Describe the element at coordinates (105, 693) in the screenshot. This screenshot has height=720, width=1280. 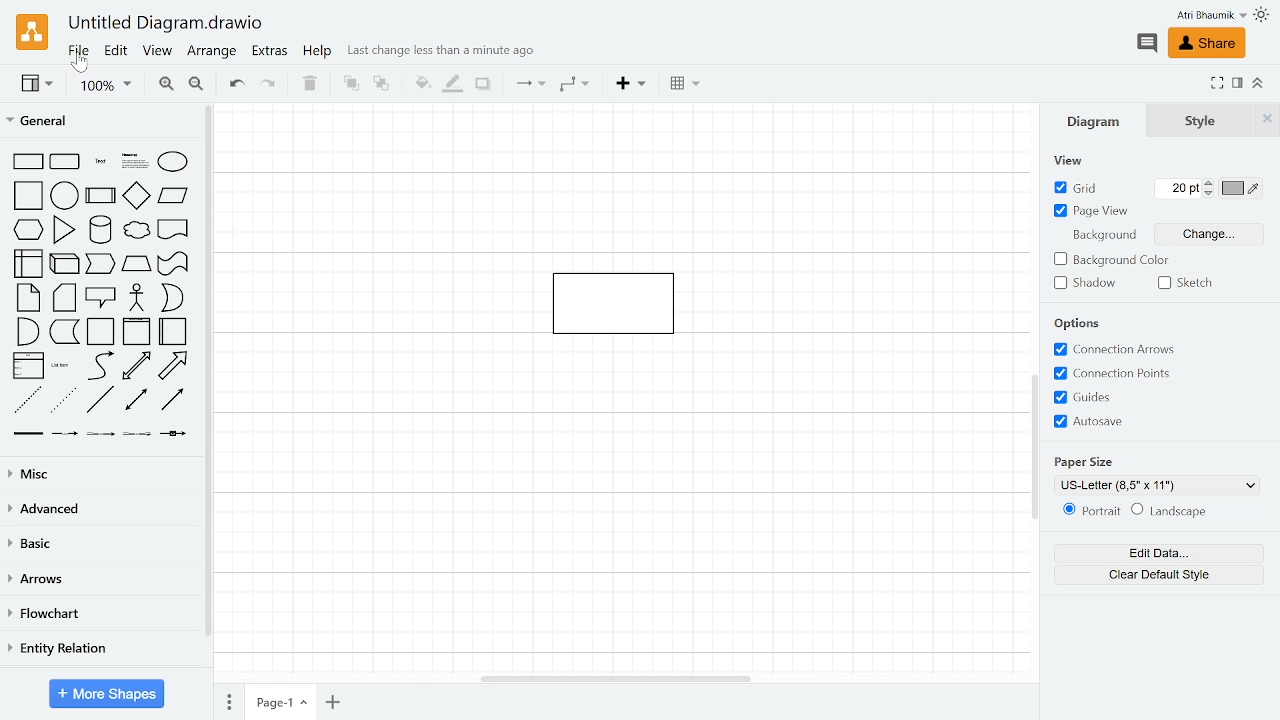
I see `More shapes` at that location.